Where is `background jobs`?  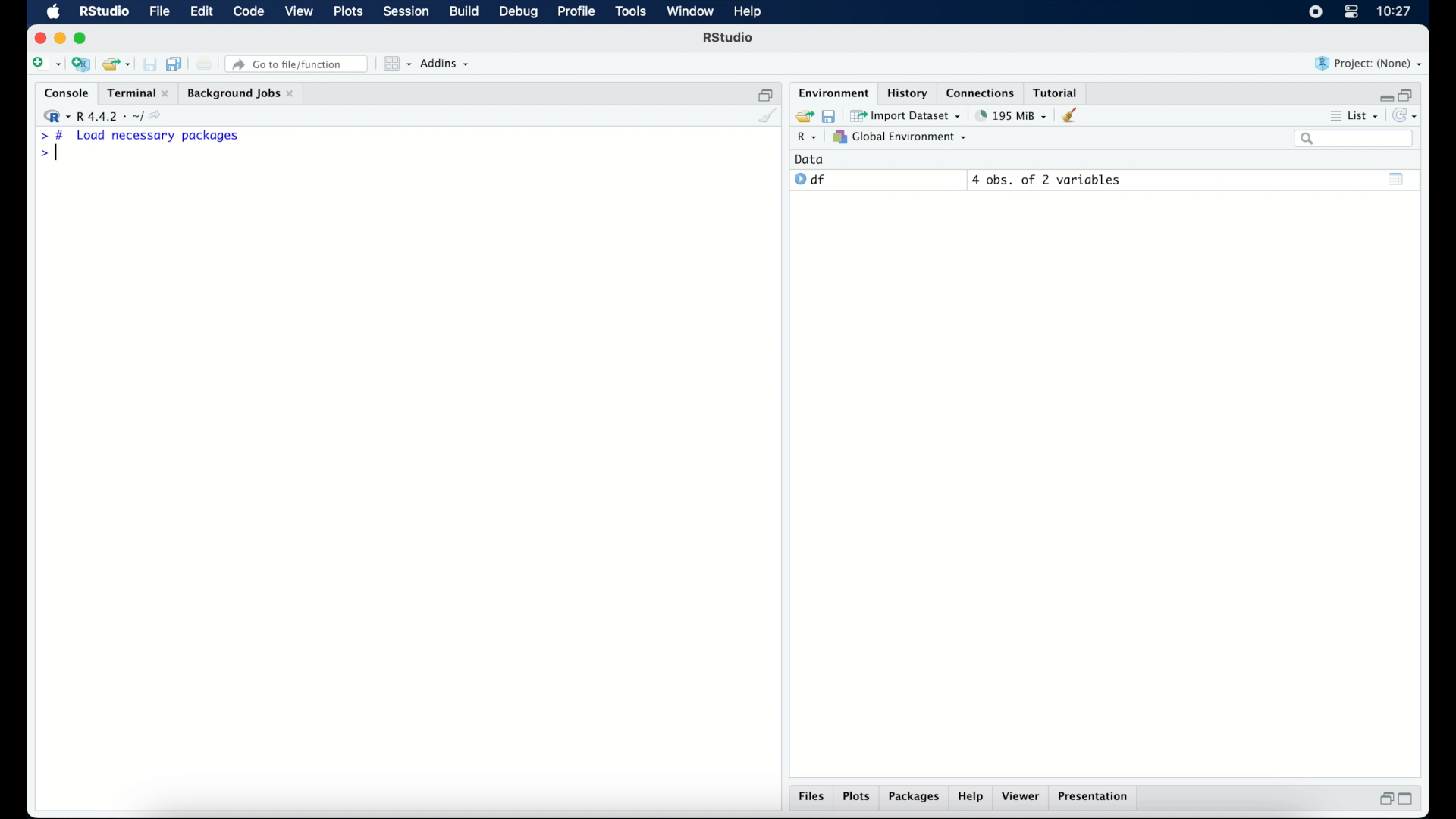
background jobs is located at coordinates (240, 93).